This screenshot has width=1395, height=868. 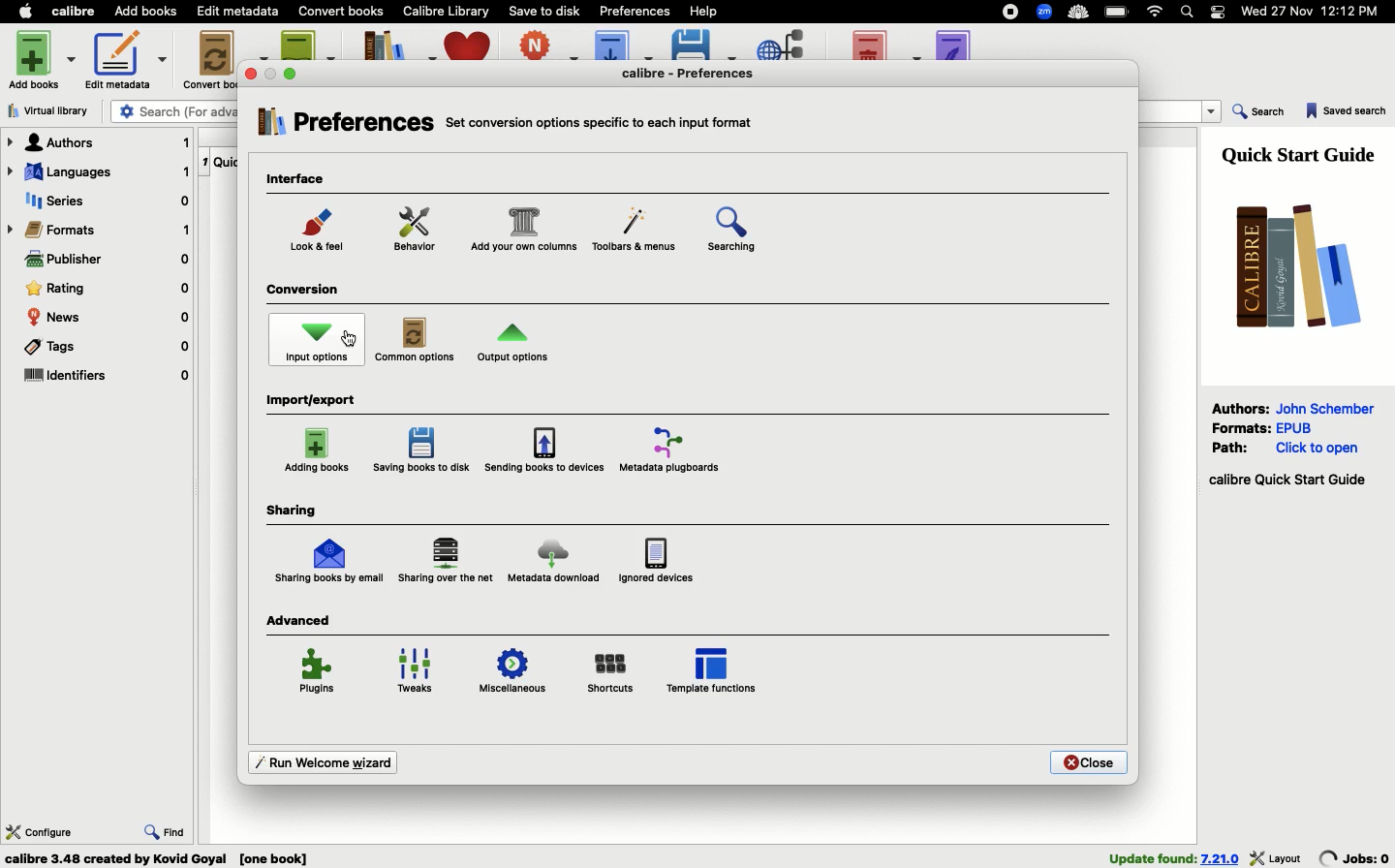 I want to click on Add books, so click(x=146, y=13).